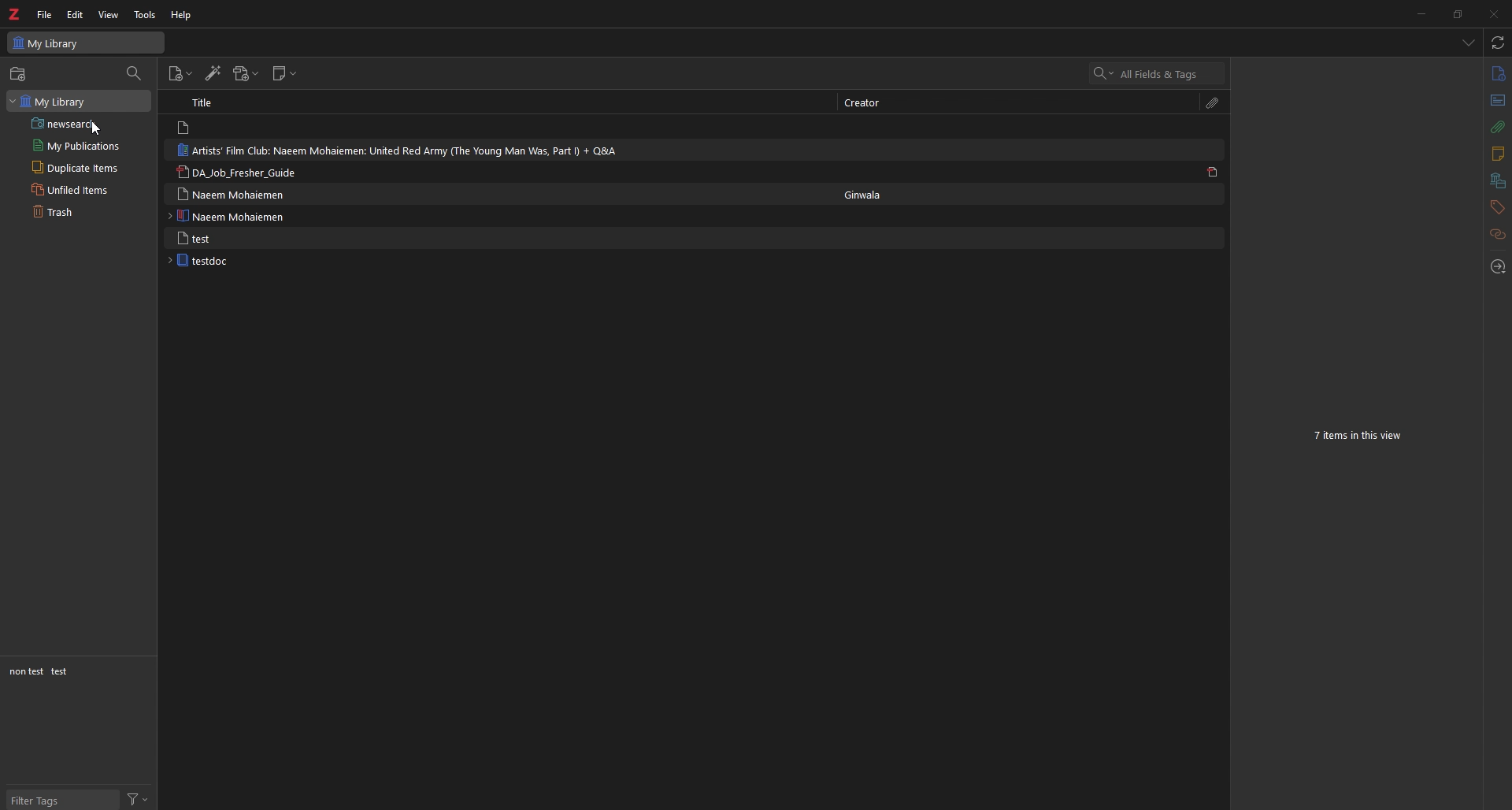 This screenshot has height=810, width=1512. What do you see at coordinates (19, 74) in the screenshot?
I see `new collection` at bounding box center [19, 74].